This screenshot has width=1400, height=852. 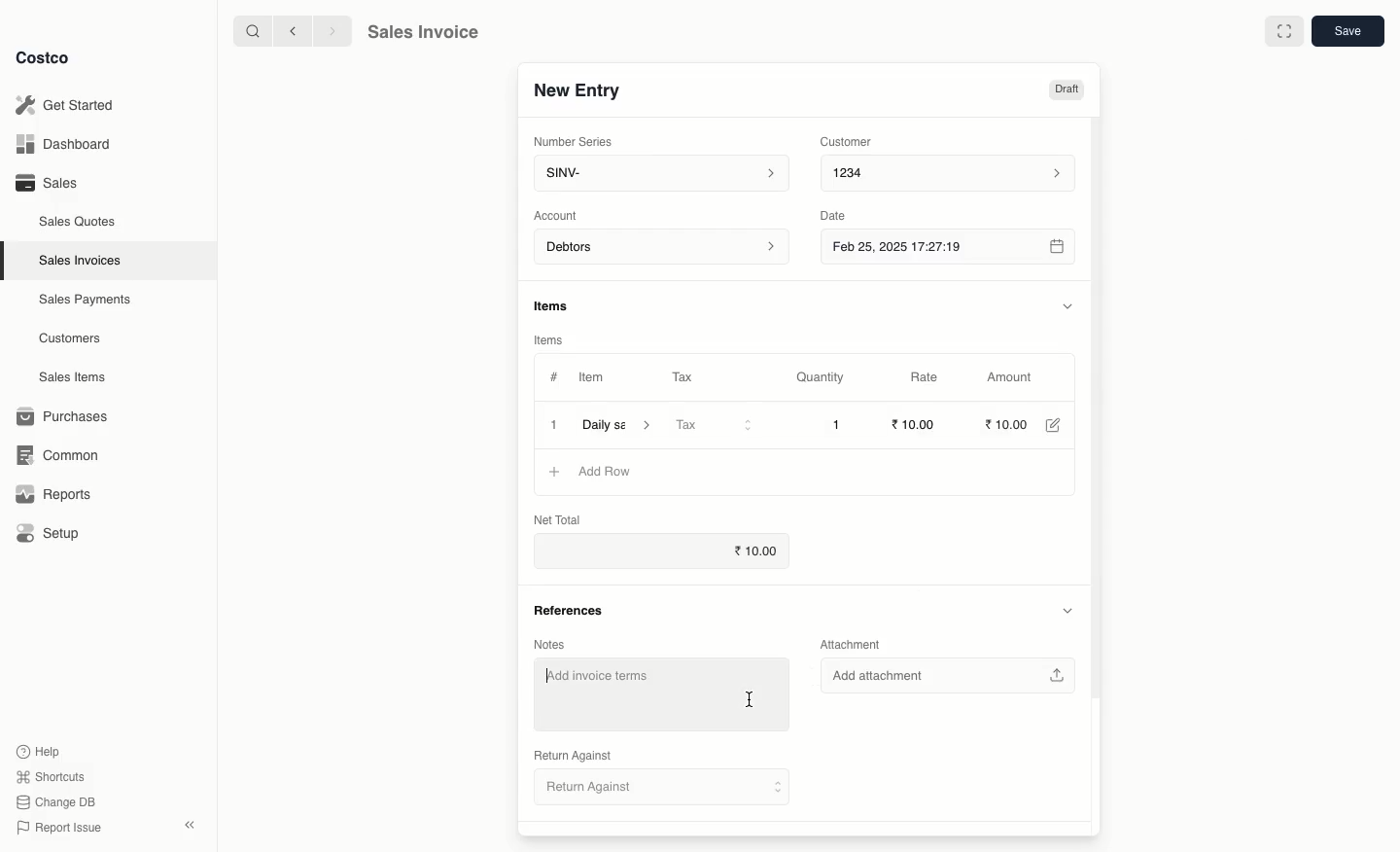 I want to click on Net Total, so click(x=553, y=519).